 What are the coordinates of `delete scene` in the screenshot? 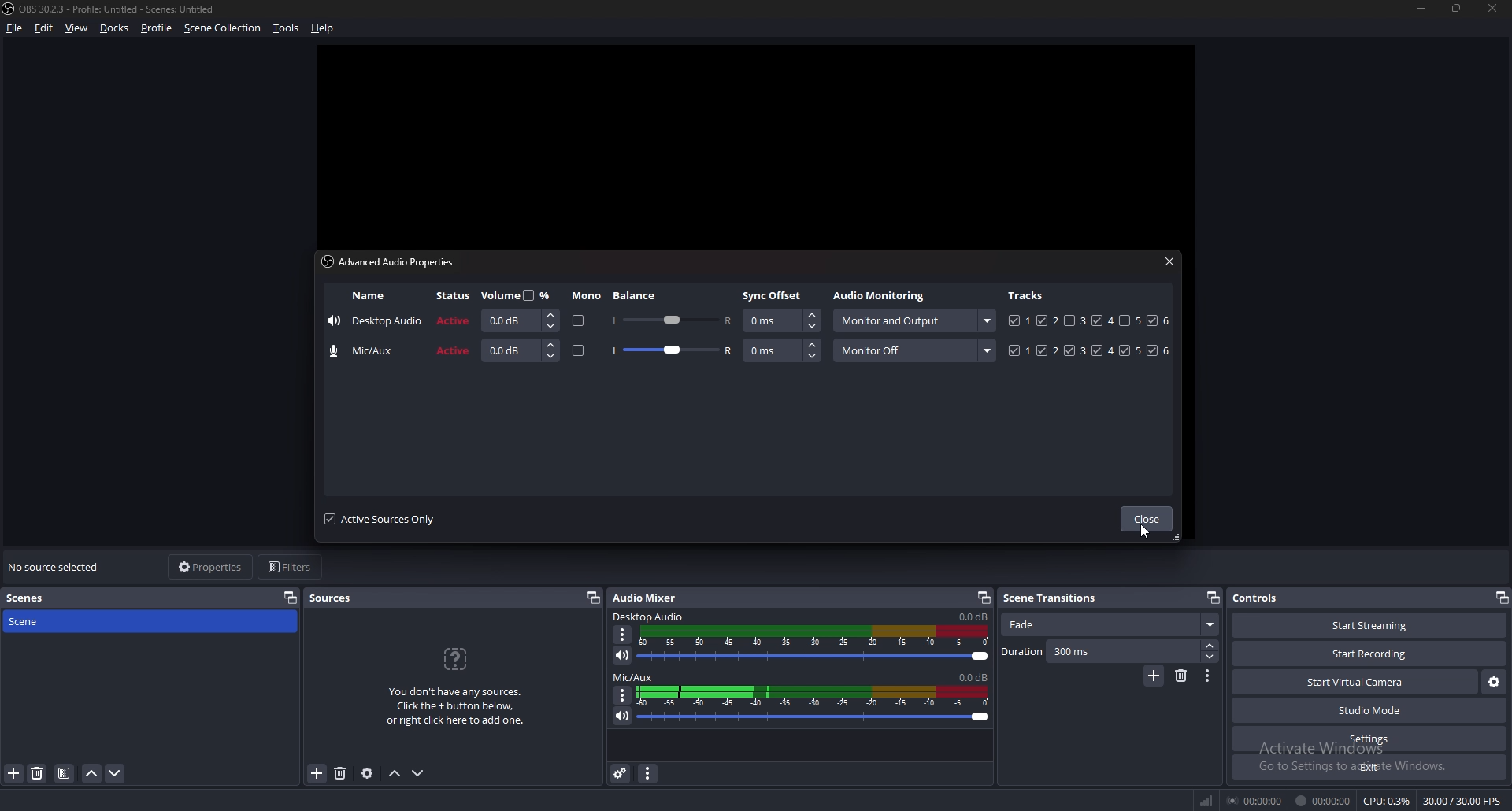 It's located at (1183, 676).